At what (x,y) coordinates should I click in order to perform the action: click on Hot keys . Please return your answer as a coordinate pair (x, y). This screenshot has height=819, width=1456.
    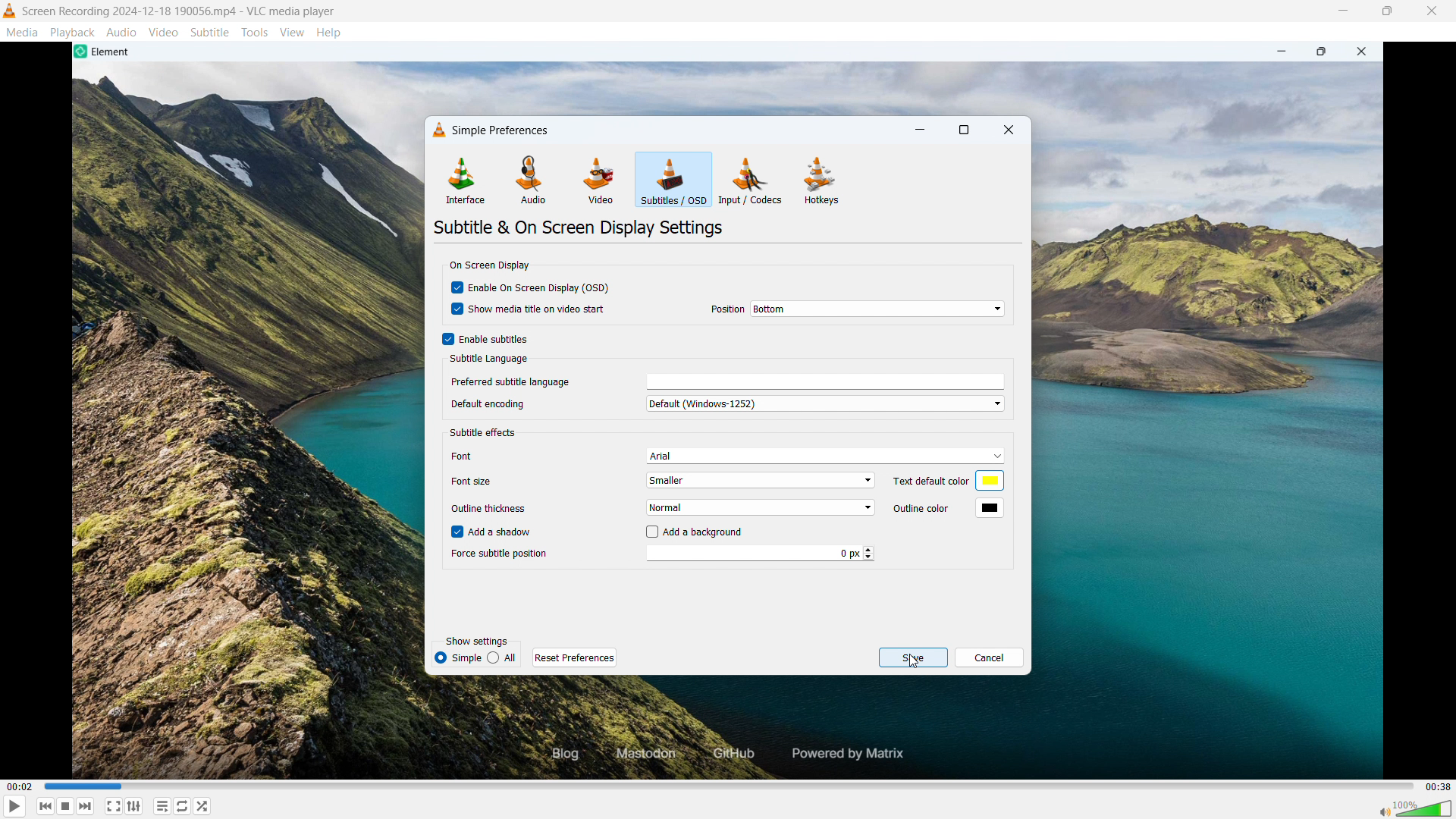
    Looking at the image, I should click on (821, 181).